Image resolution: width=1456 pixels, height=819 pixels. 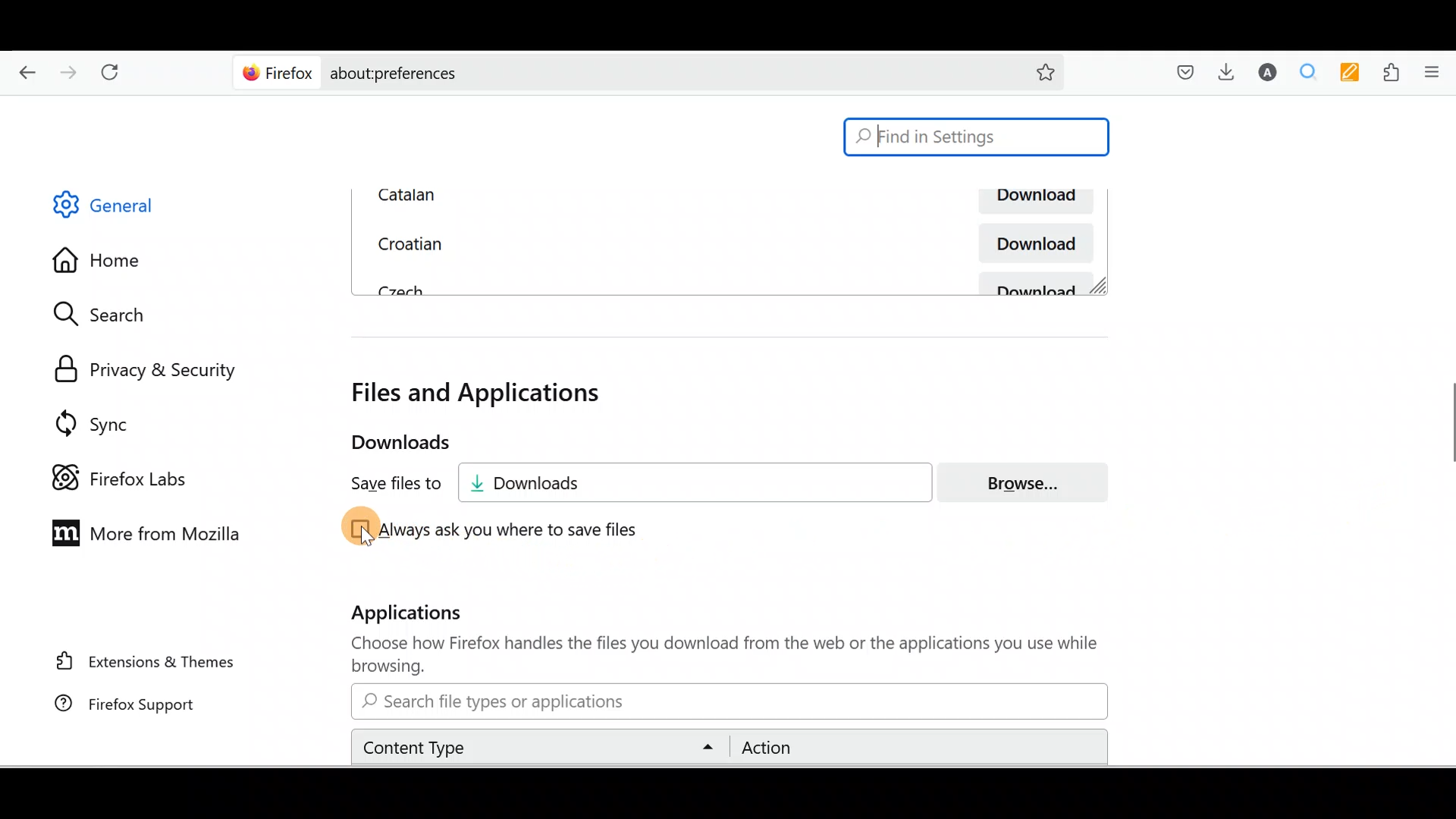 I want to click on Content type, so click(x=542, y=746).